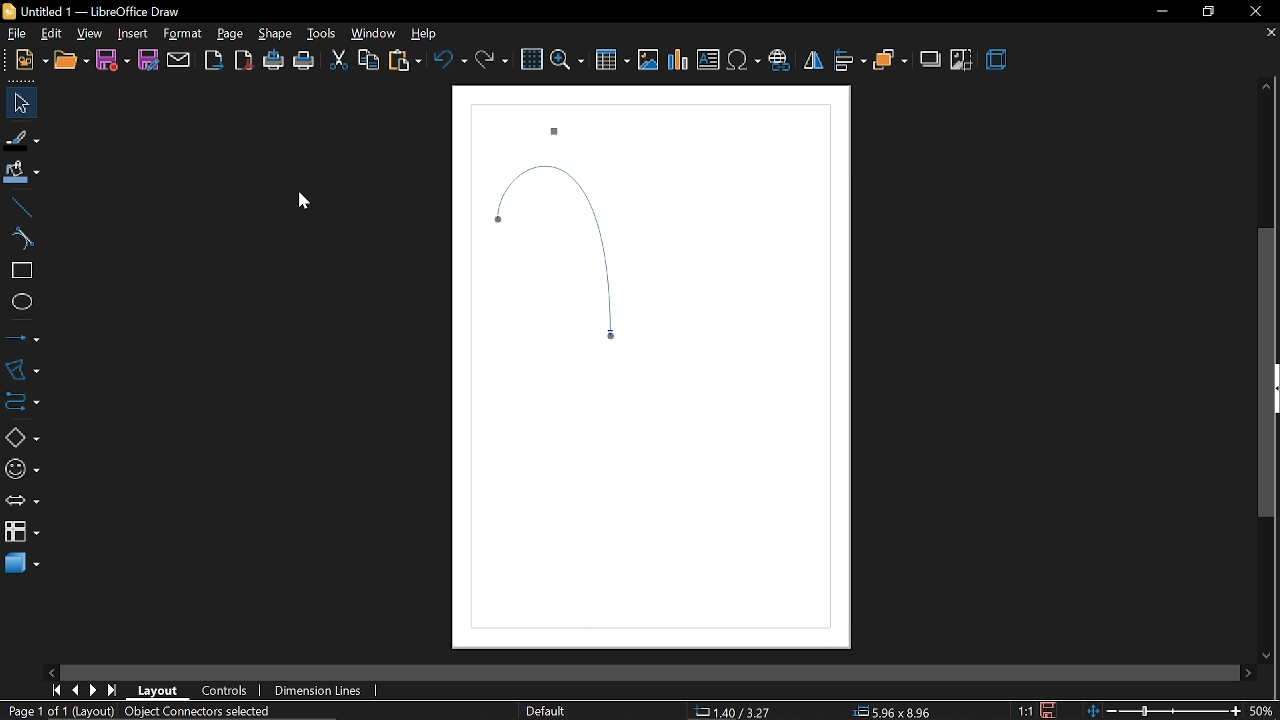  What do you see at coordinates (679, 60) in the screenshot?
I see `Insert chart` at bounding box center [679, 60].